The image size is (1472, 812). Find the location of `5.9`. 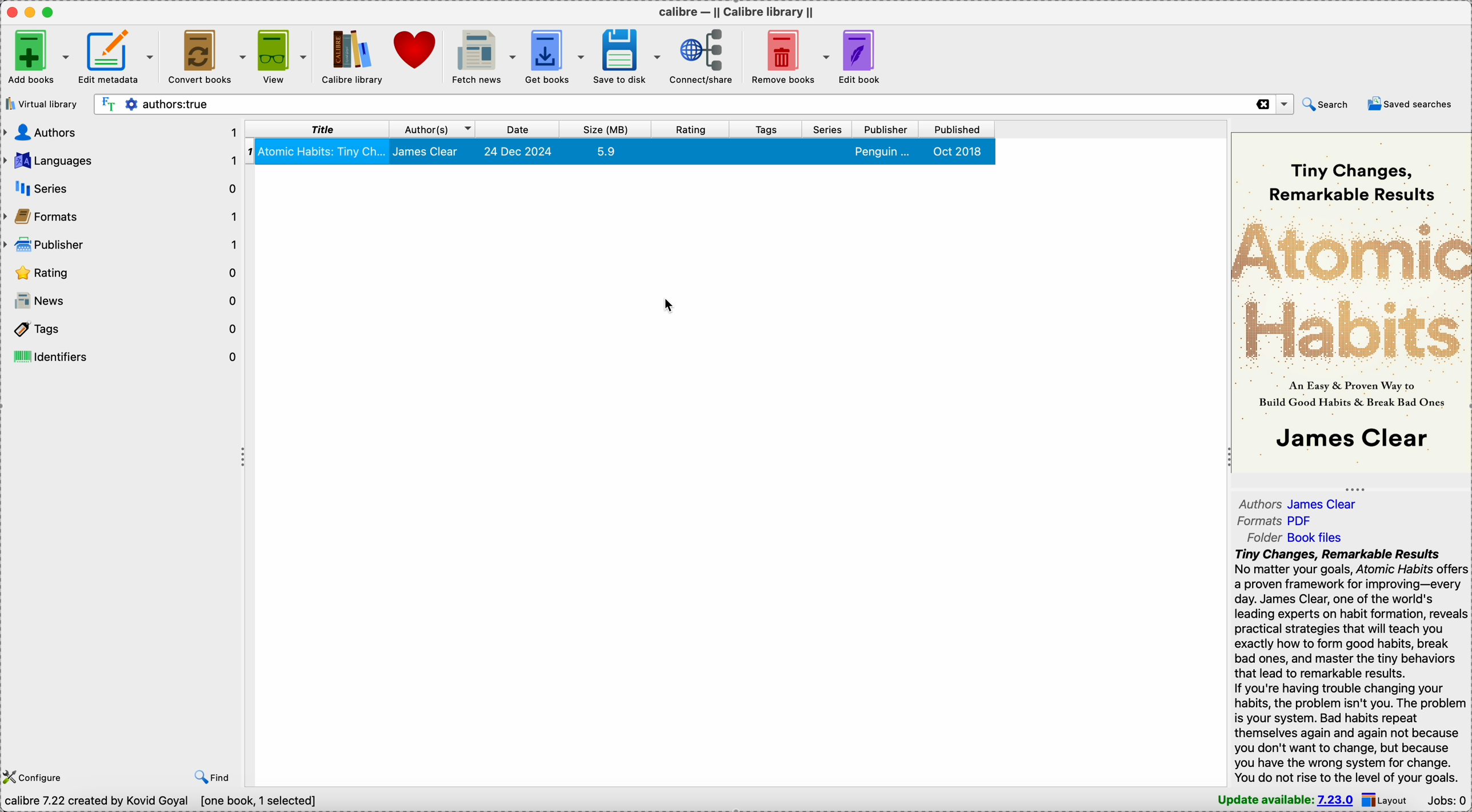

5.9 is located at coordinates (606, 151).